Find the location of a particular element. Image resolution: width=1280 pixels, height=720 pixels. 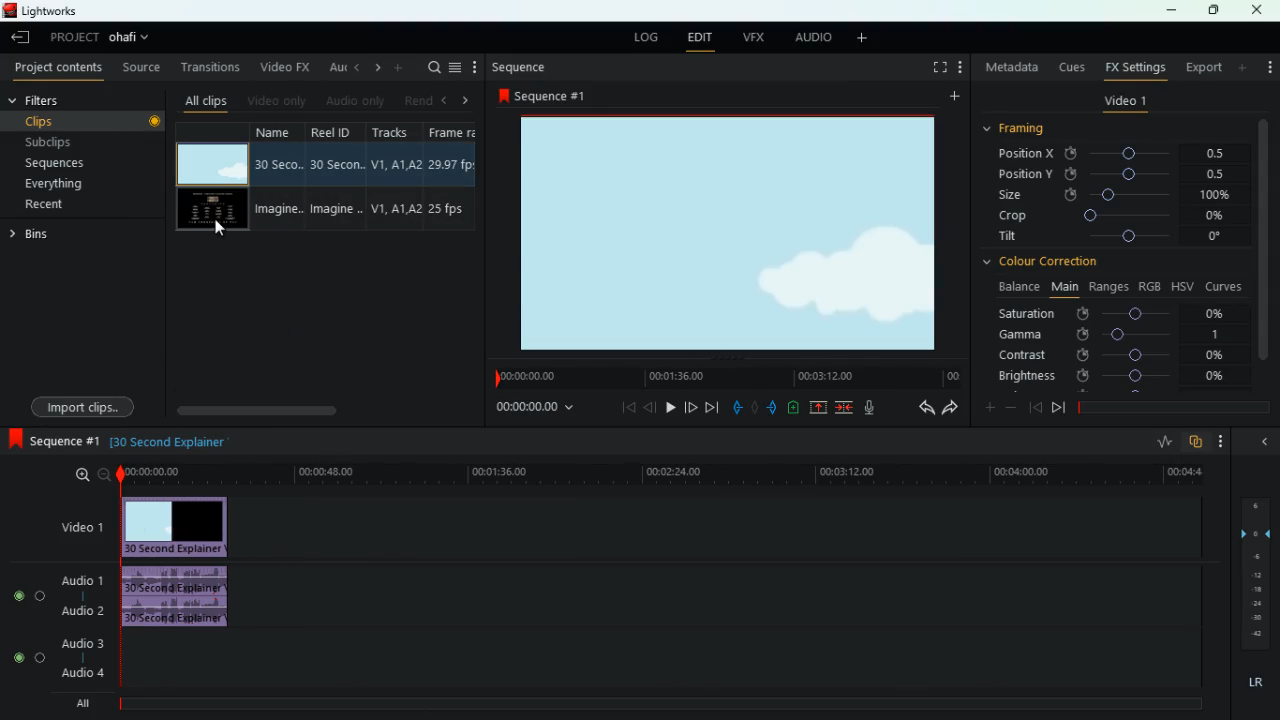

project content is located at coordinates (59, 69).